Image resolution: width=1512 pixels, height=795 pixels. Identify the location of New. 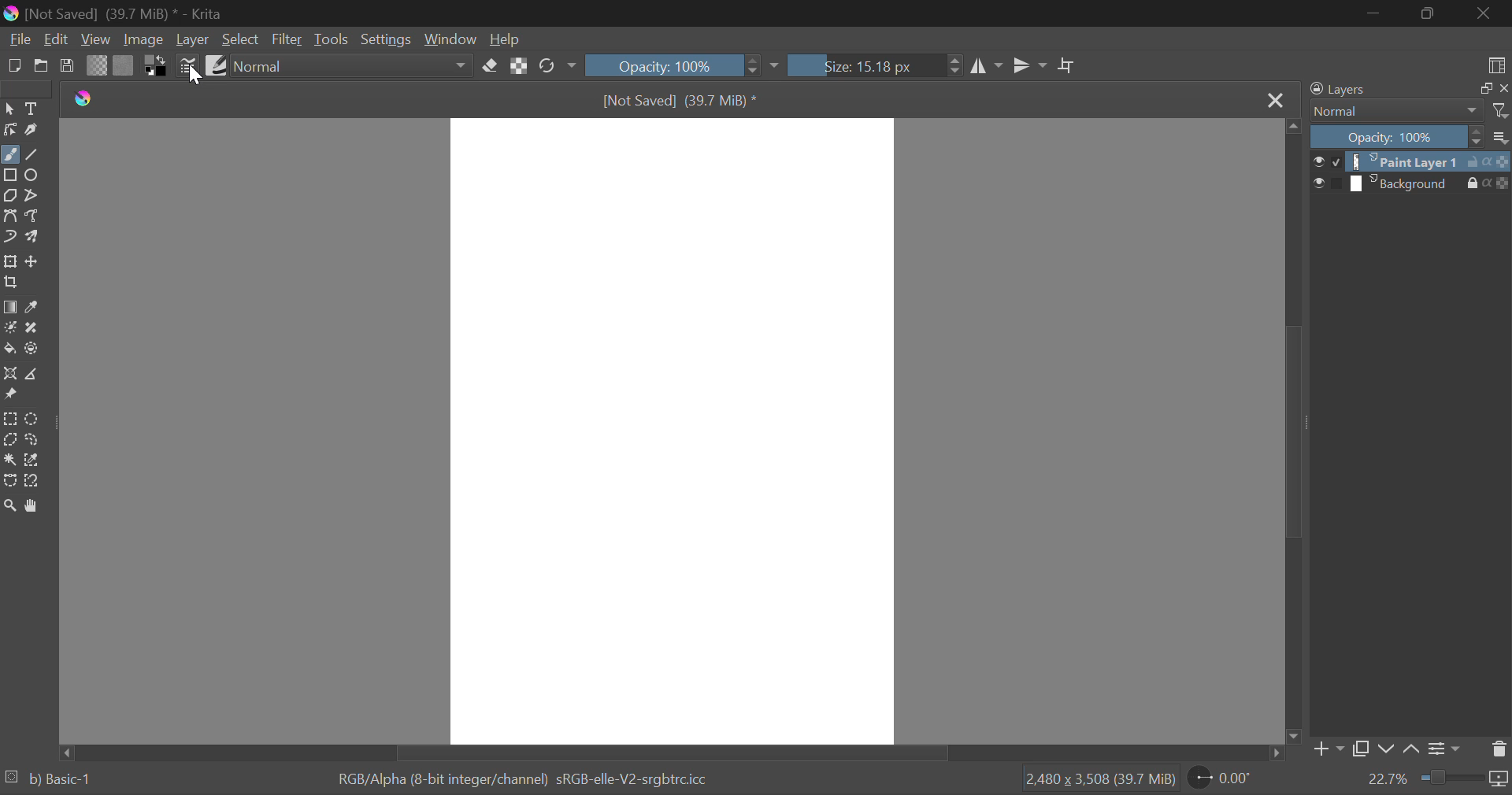
(14, 65).